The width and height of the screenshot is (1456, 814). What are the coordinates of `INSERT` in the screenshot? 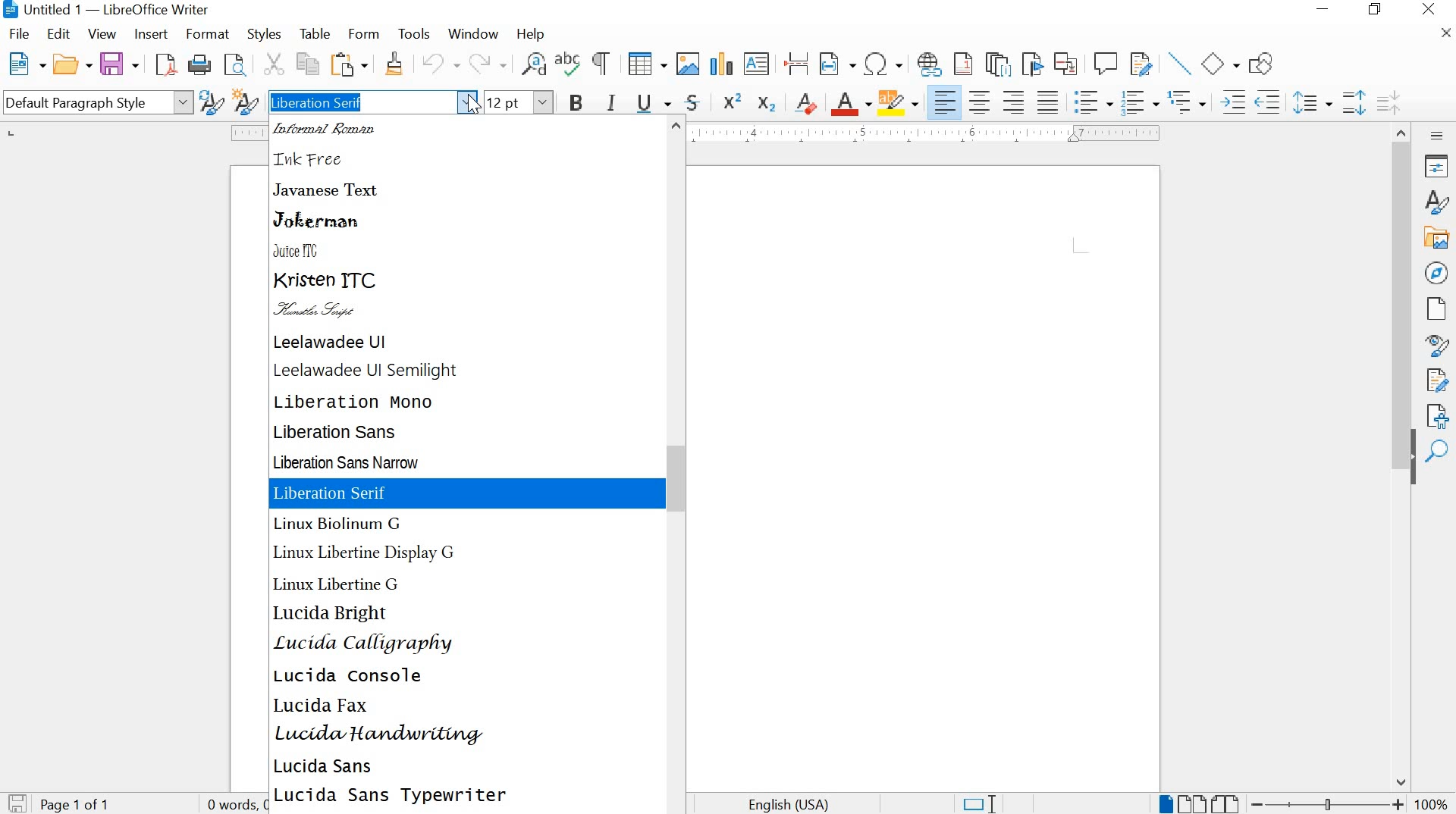 It's located at (149, 34).